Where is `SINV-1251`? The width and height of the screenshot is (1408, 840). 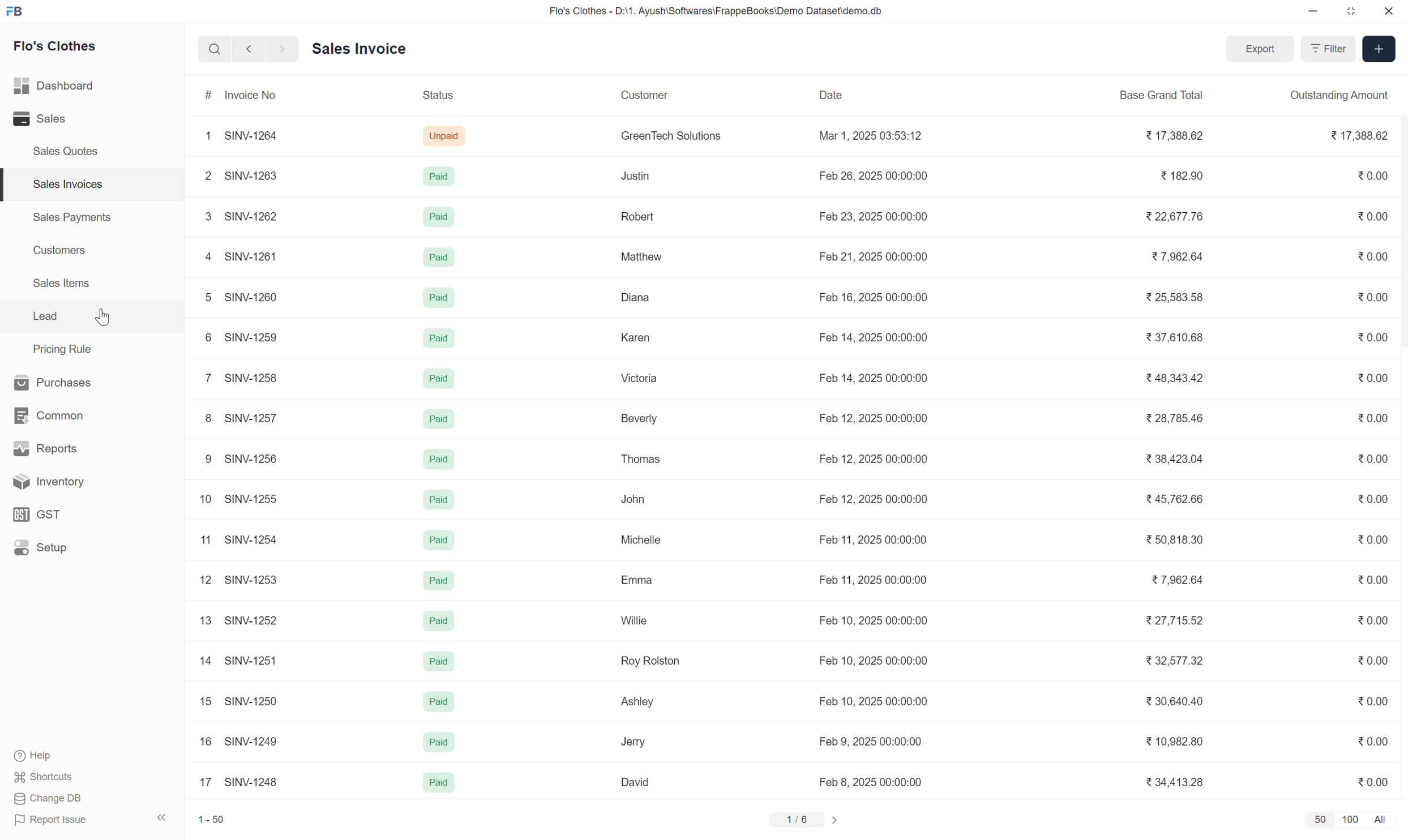 SINV-1251 is located at coordinates (255, 661).